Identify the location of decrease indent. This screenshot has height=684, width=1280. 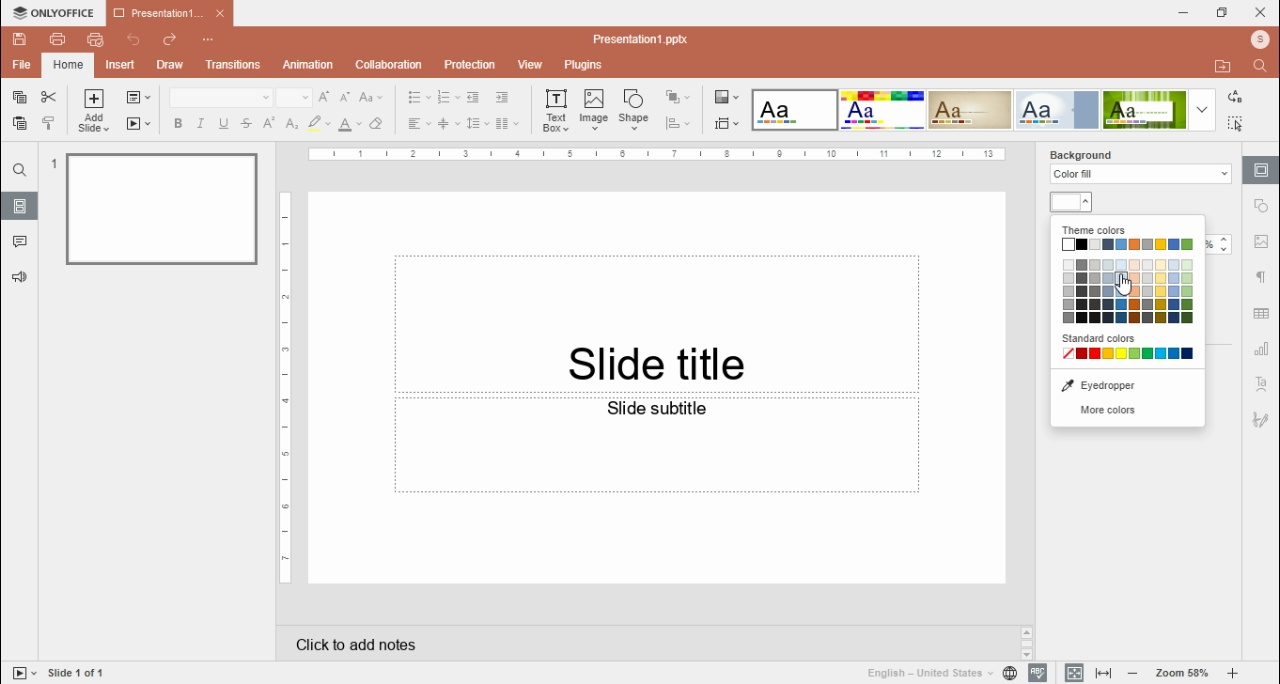
(474, 97).